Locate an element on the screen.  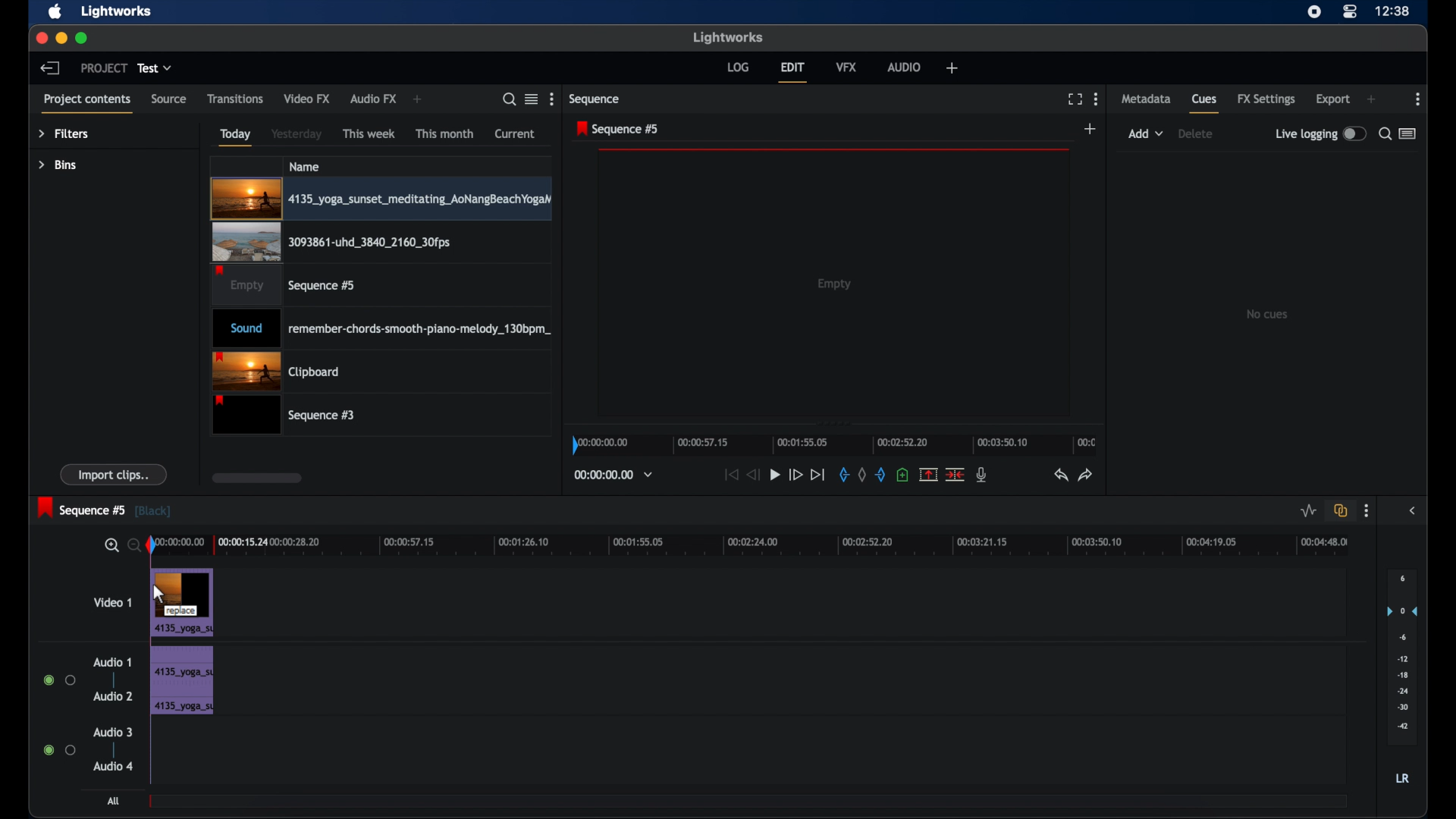
undo is located at coordinates (1061, 475).